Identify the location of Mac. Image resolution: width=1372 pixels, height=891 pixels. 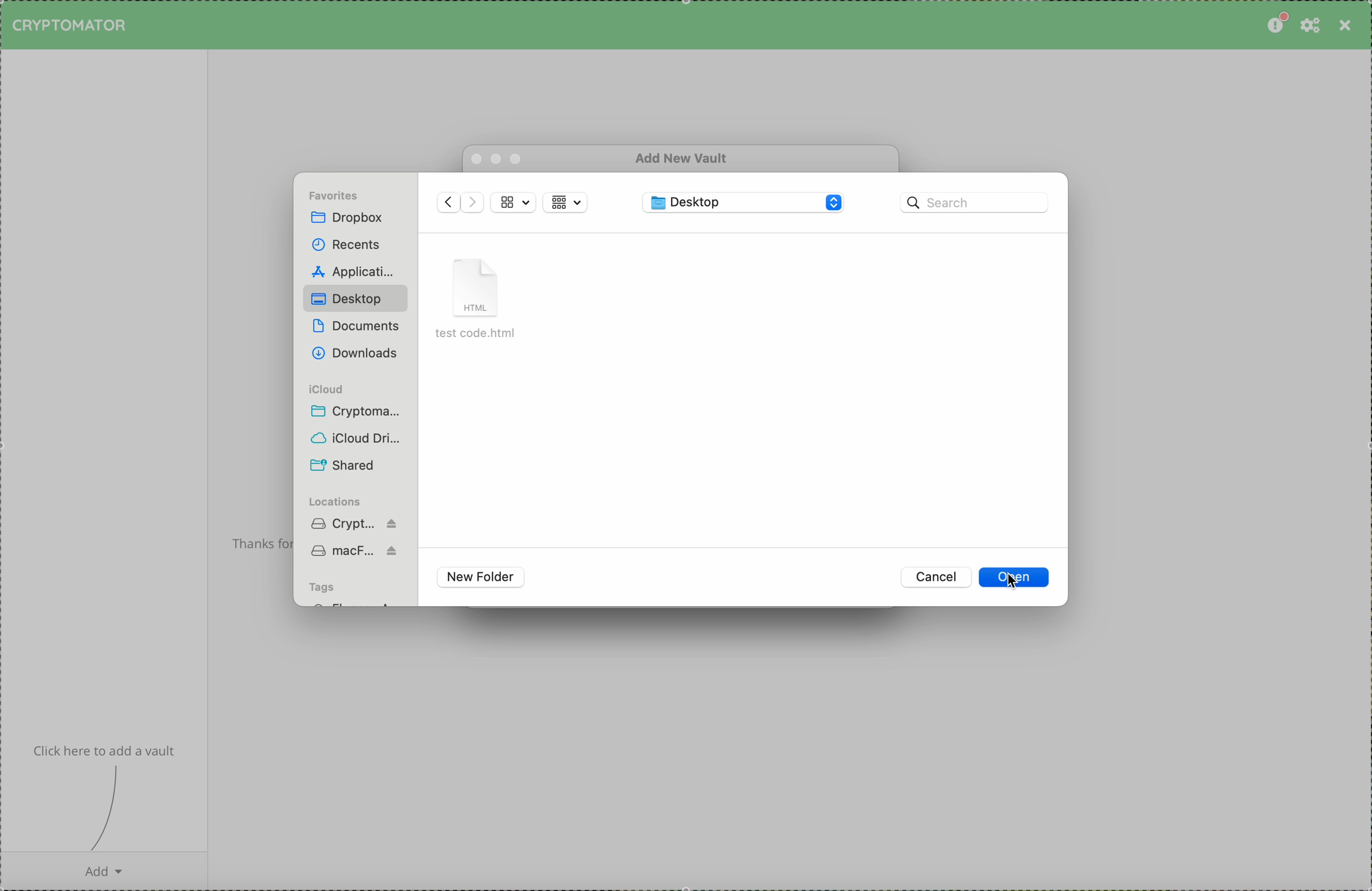
(358, 552).